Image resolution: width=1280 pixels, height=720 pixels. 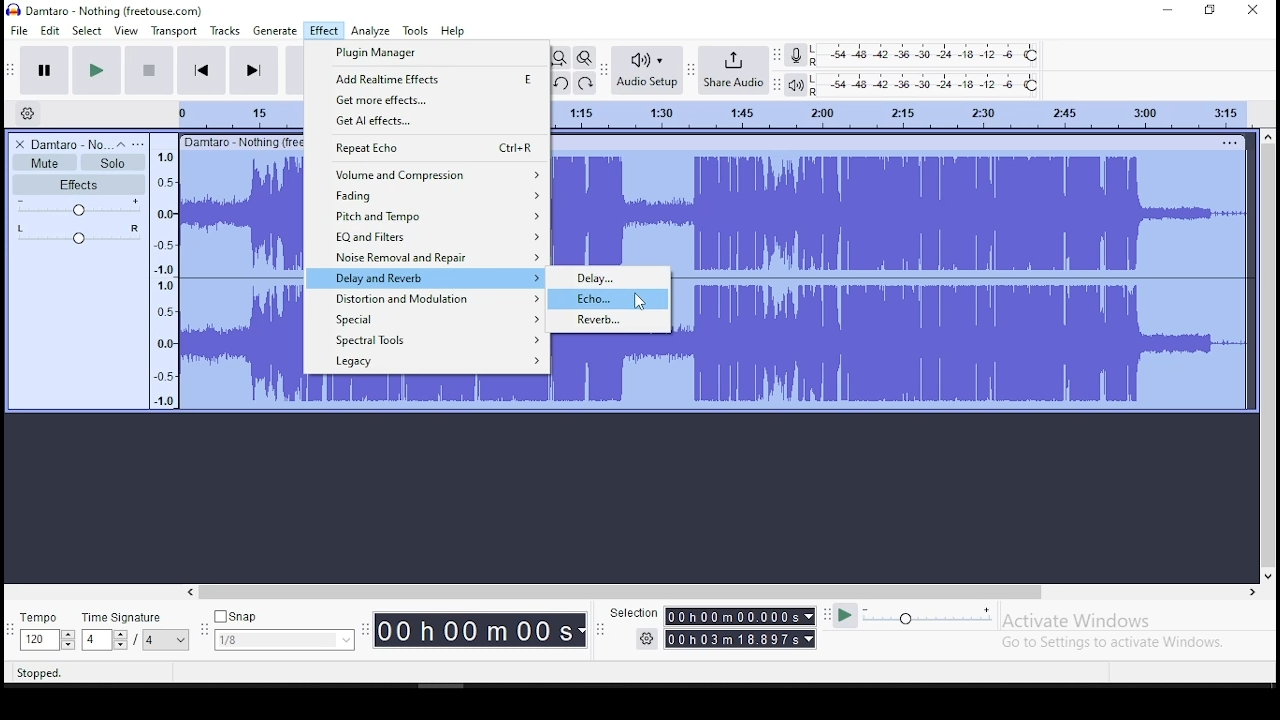 I want to click on , so click(x=240, y=141).